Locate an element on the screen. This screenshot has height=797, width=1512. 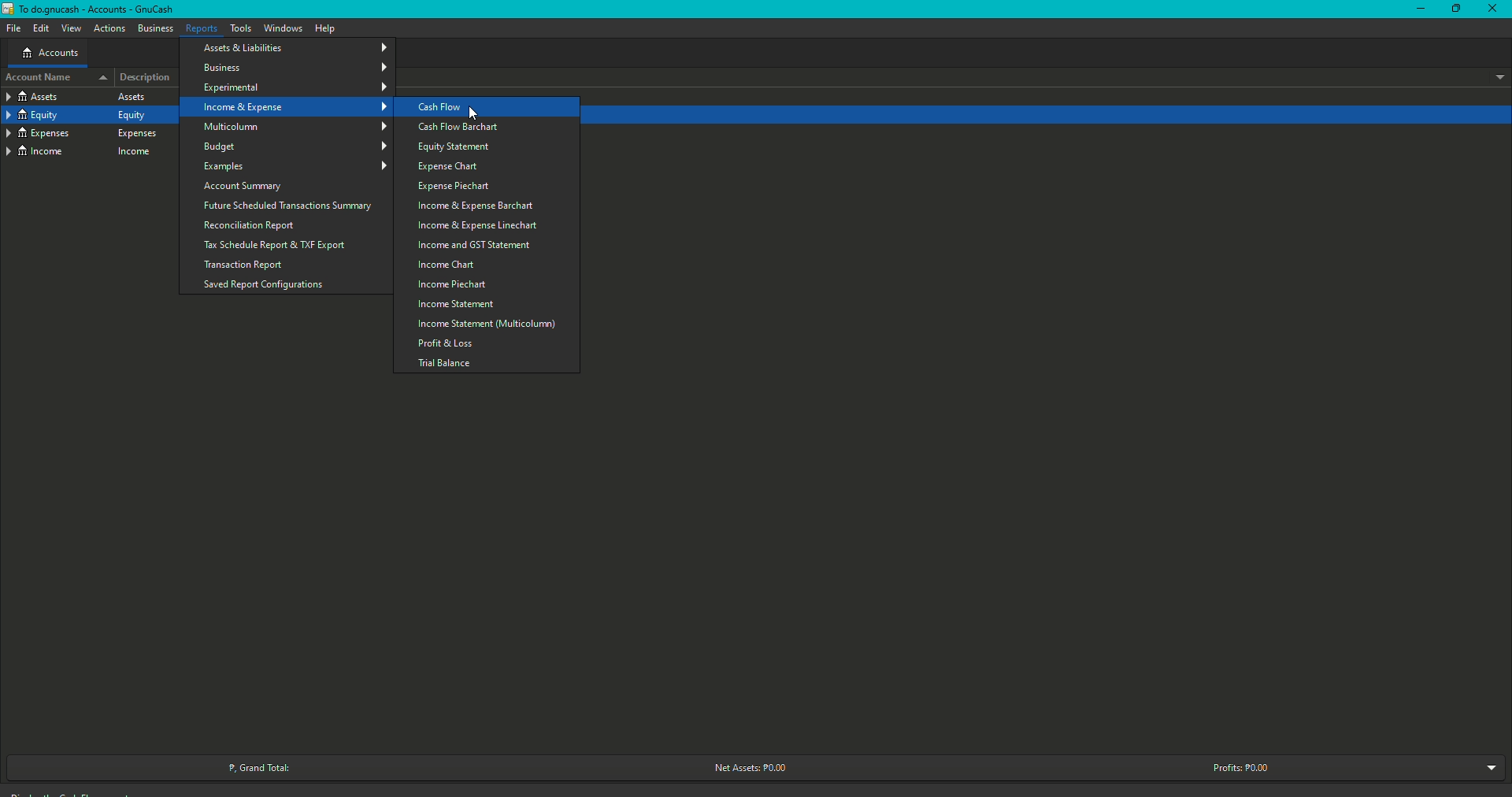
Assets and Liabilities is located at coordinates (297, 47).